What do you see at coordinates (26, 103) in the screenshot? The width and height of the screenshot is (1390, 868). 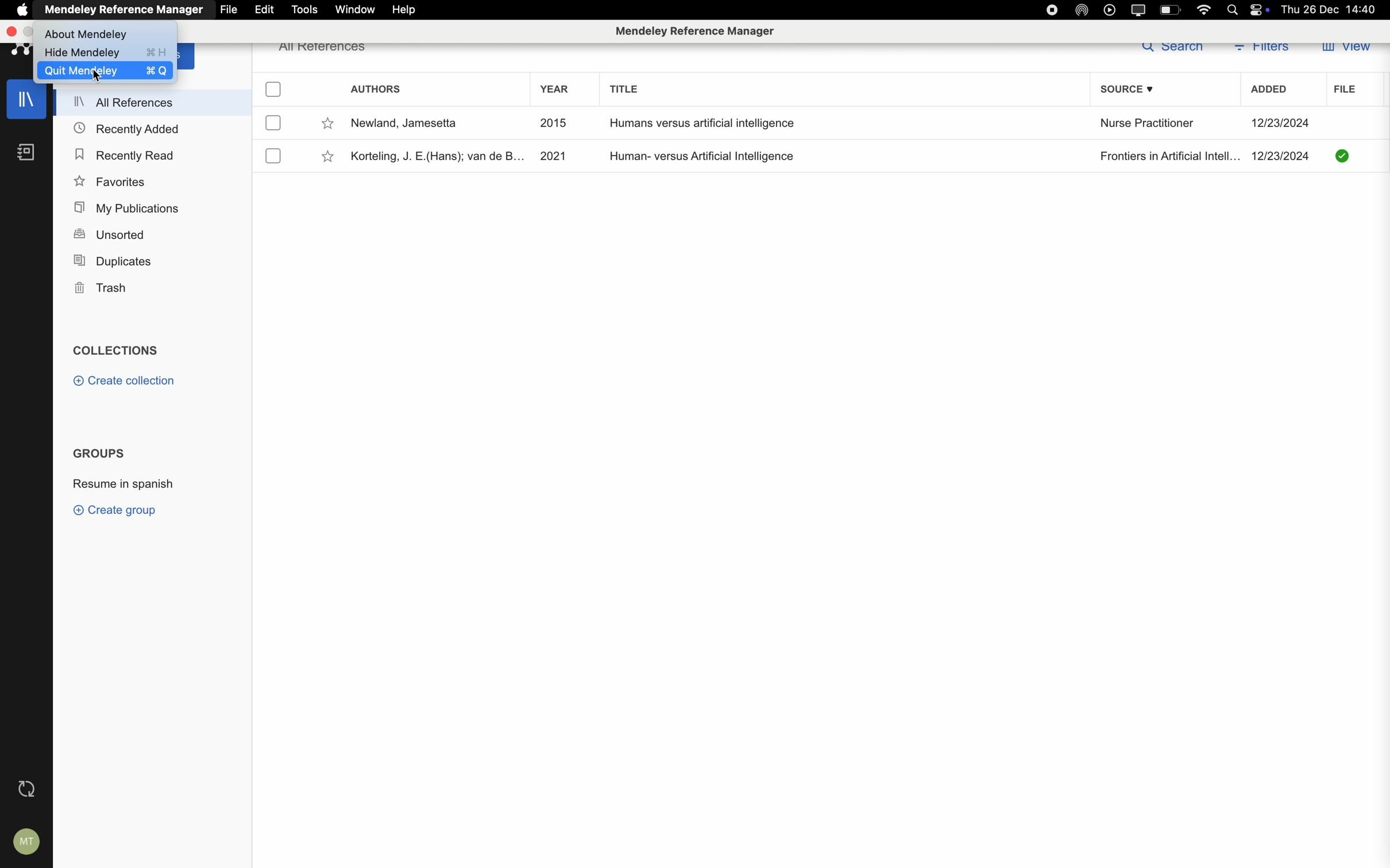 I see `library` at bounding box center [26, 103].